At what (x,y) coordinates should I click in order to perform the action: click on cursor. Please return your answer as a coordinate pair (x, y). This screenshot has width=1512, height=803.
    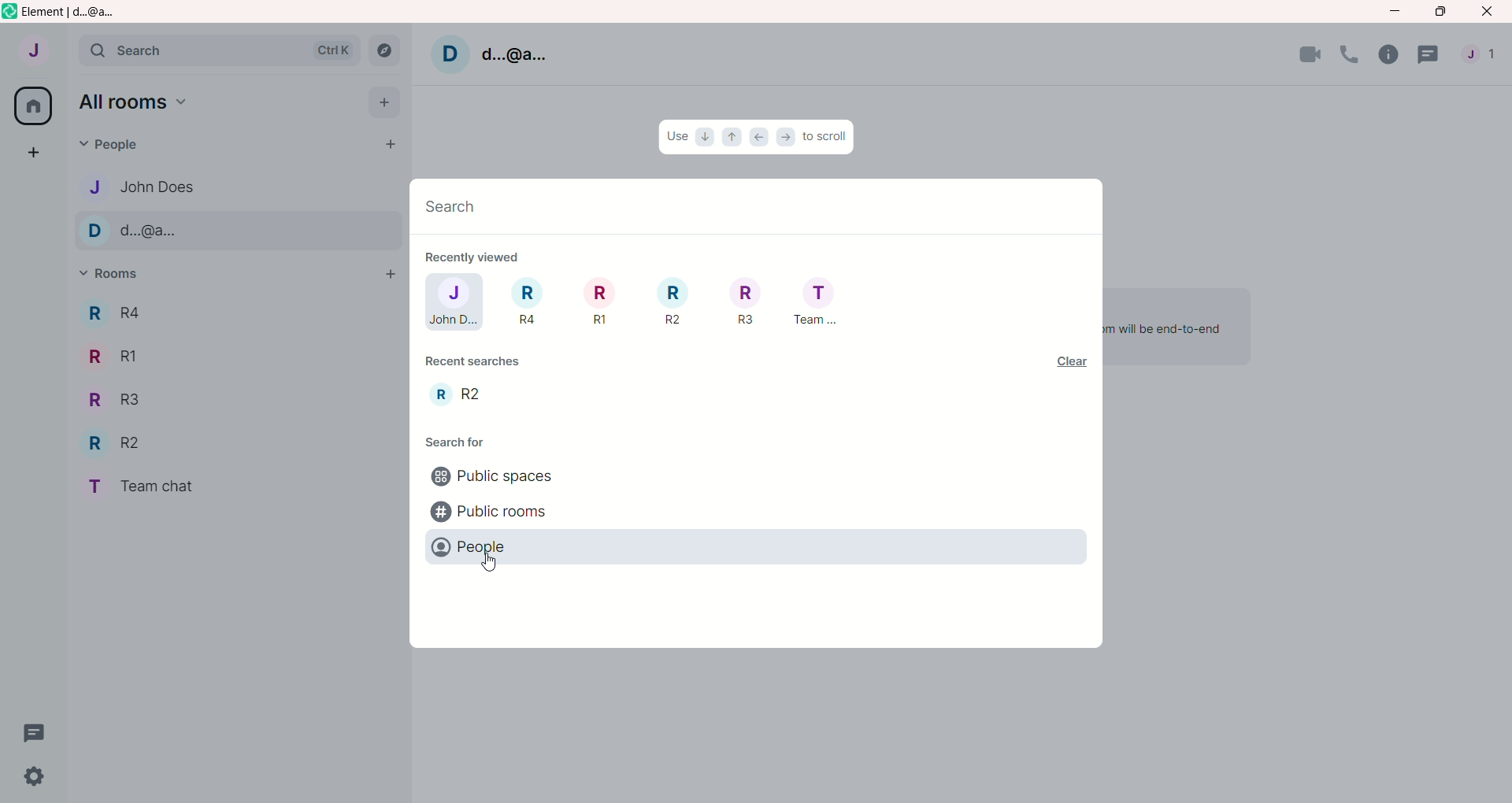
    Looking at the image, I should click on (491, 565).